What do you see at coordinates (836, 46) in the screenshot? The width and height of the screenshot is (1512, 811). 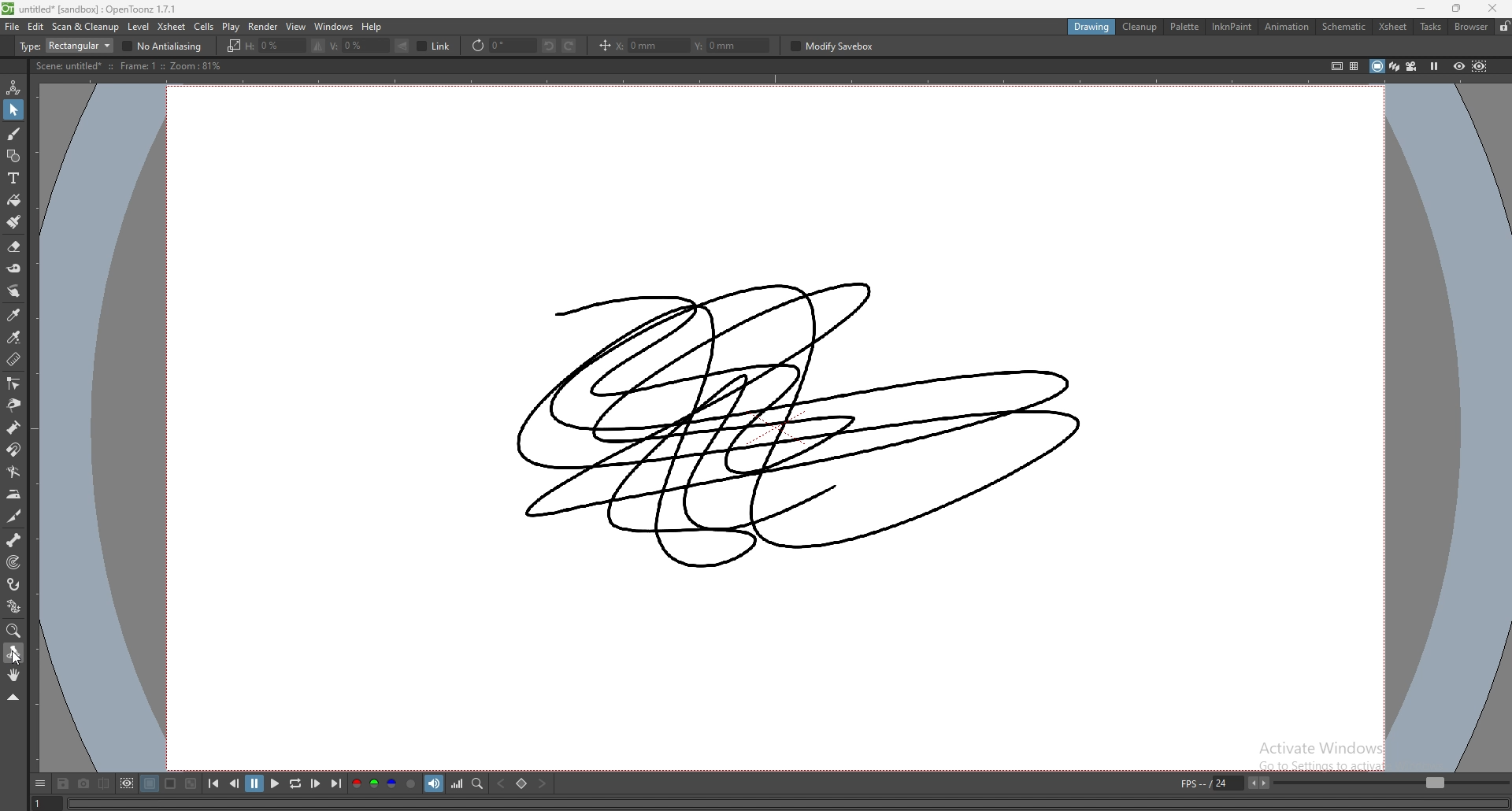 I see `modify savebox` at bounding box center [836, 46].